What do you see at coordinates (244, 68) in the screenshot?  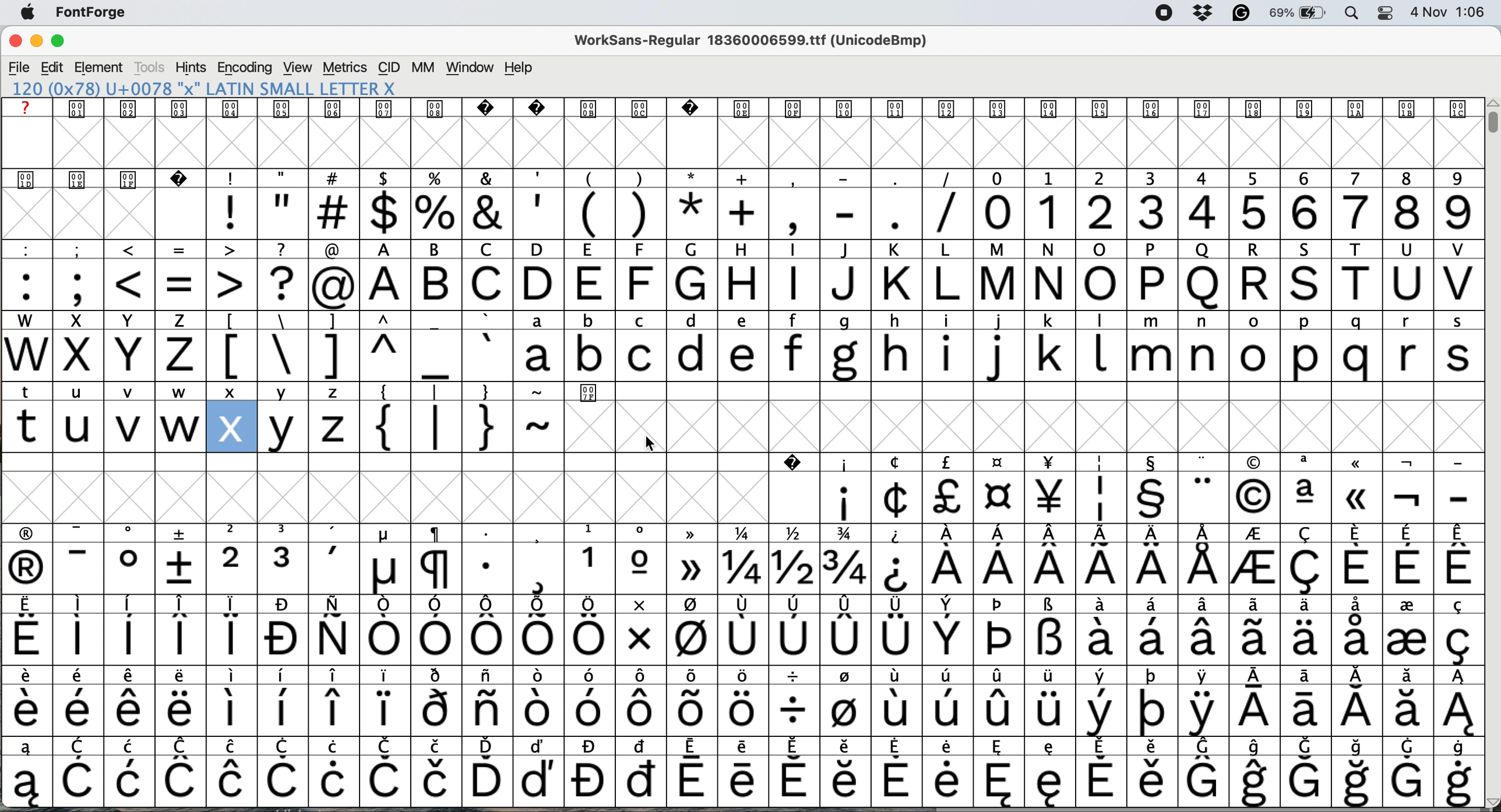 I see `encoding` at bounding box center [244, 68].